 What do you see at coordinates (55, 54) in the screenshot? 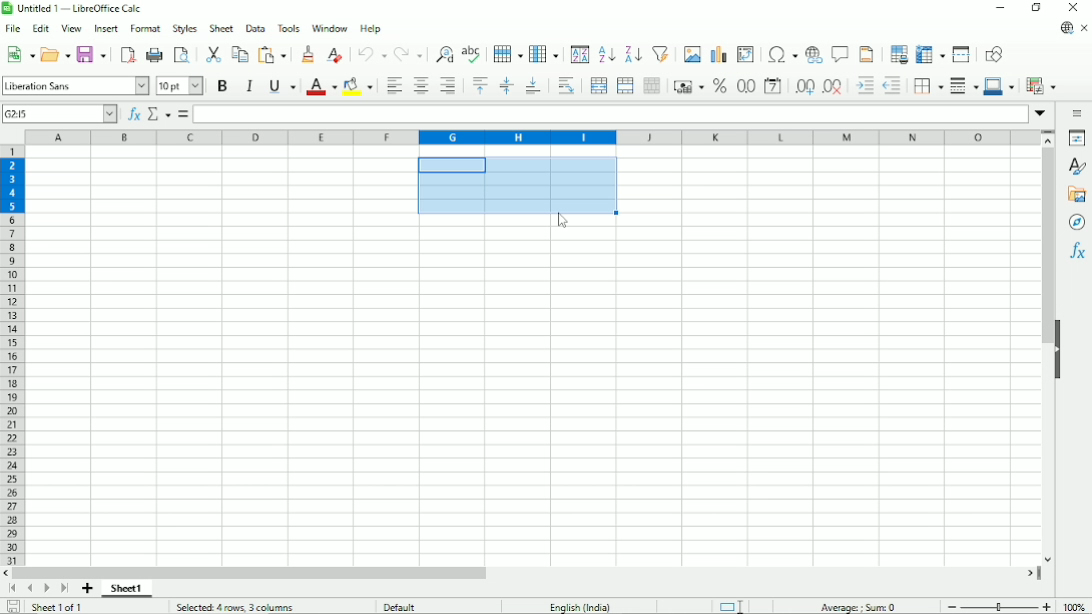
I see `Open` at bounding box center [55, 54].